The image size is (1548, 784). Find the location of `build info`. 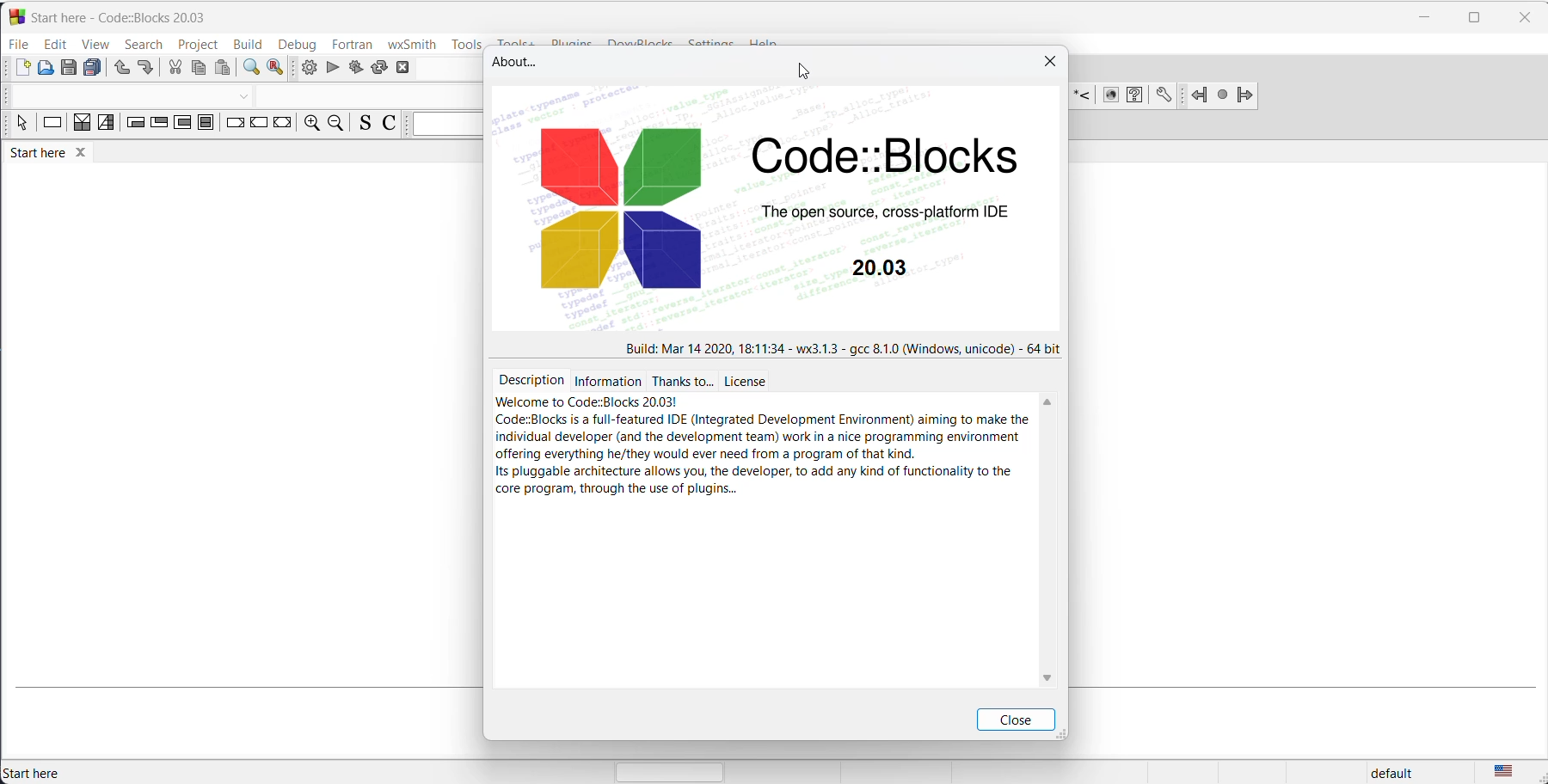

build info is located at coordinates (845, 346).